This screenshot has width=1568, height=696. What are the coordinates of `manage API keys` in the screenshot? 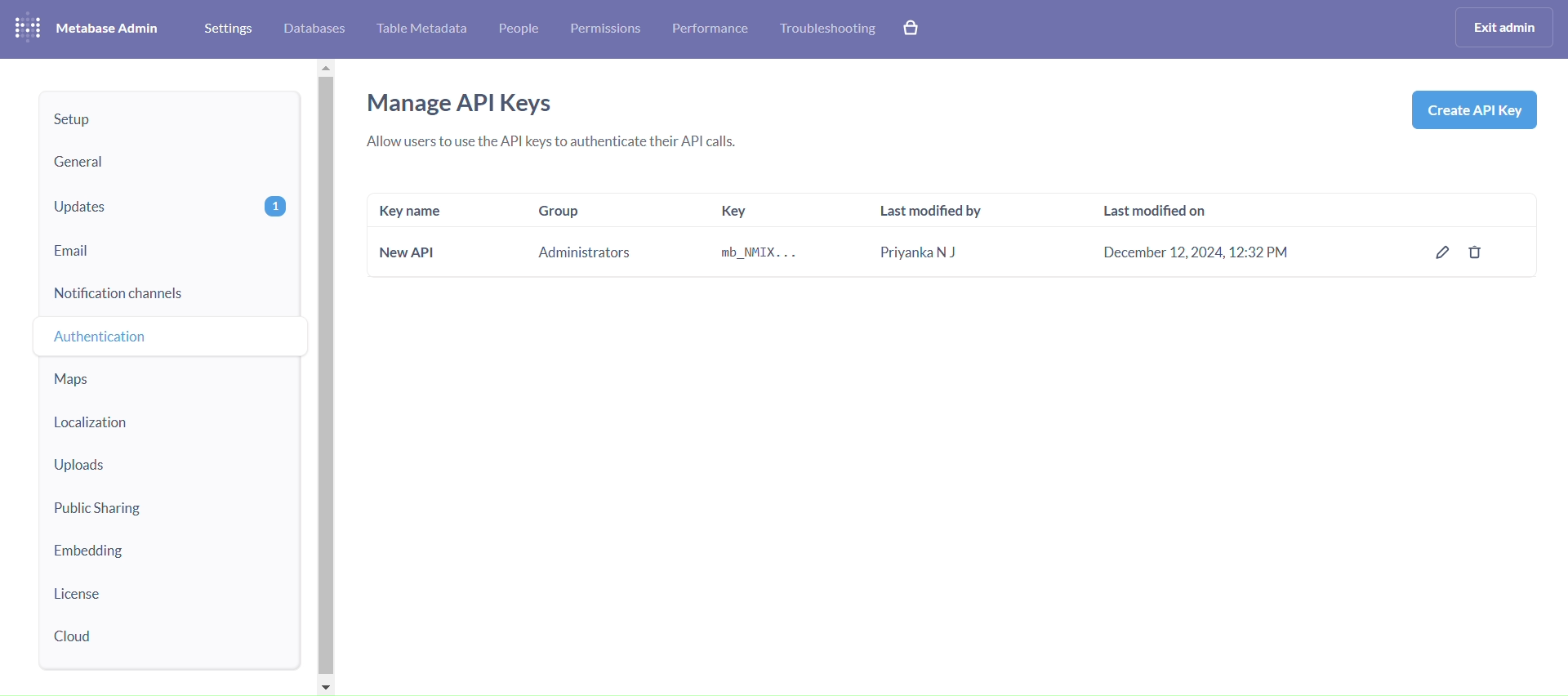 It's located at (585, 124).